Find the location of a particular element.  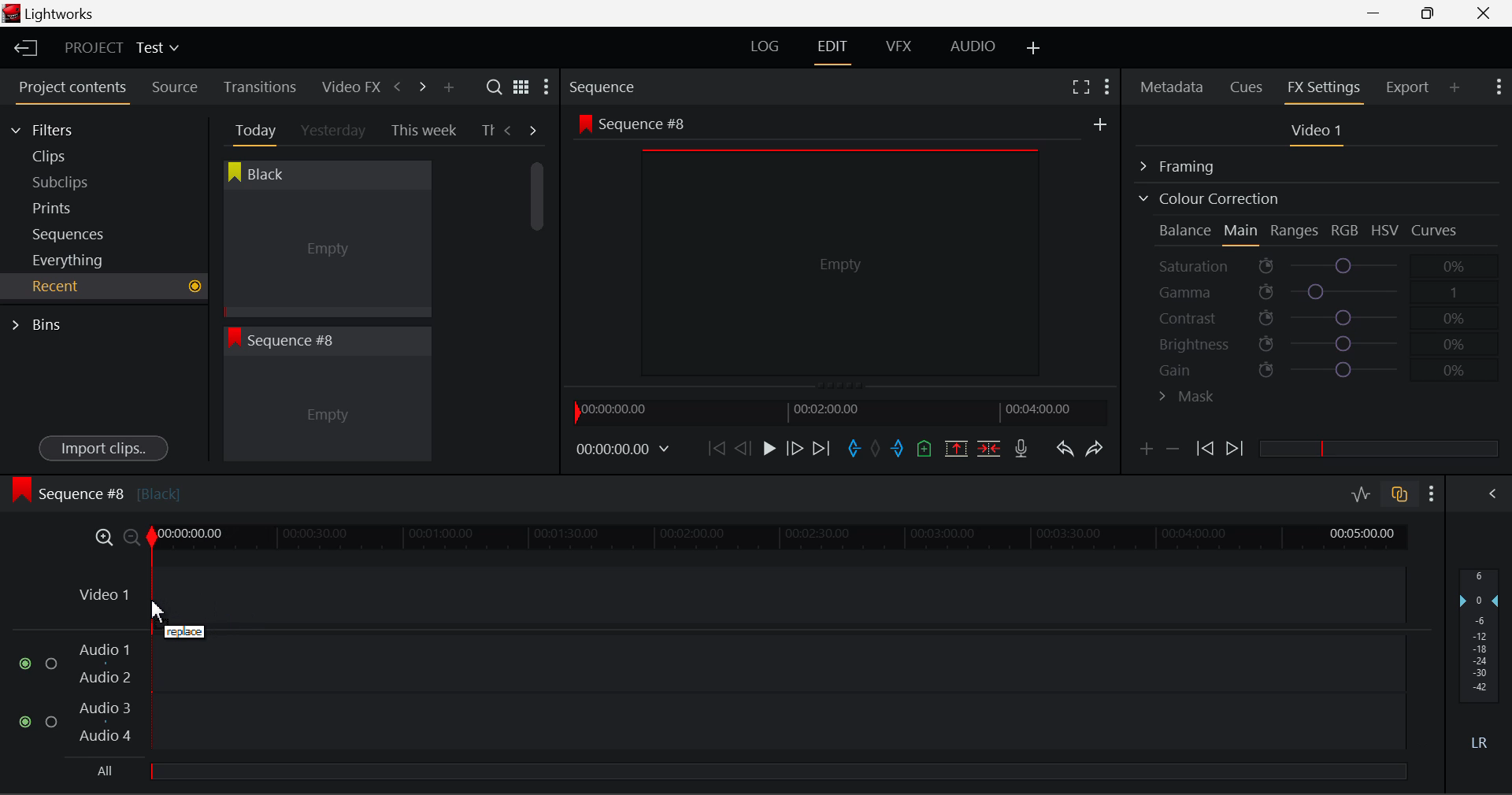

Framing Section is located at coordinates (1190, 164).